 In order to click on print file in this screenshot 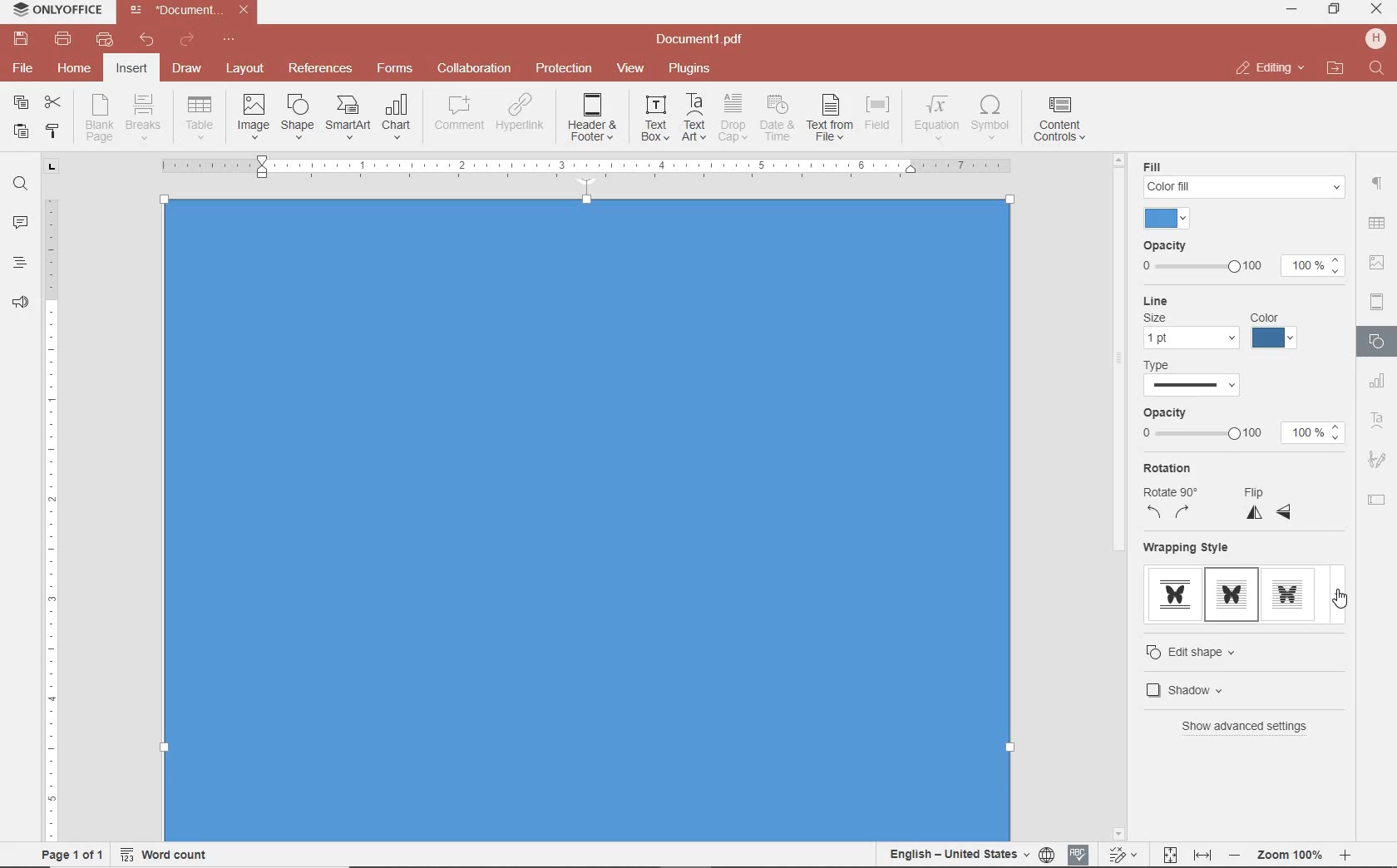, I will do `click(63, 39)`.